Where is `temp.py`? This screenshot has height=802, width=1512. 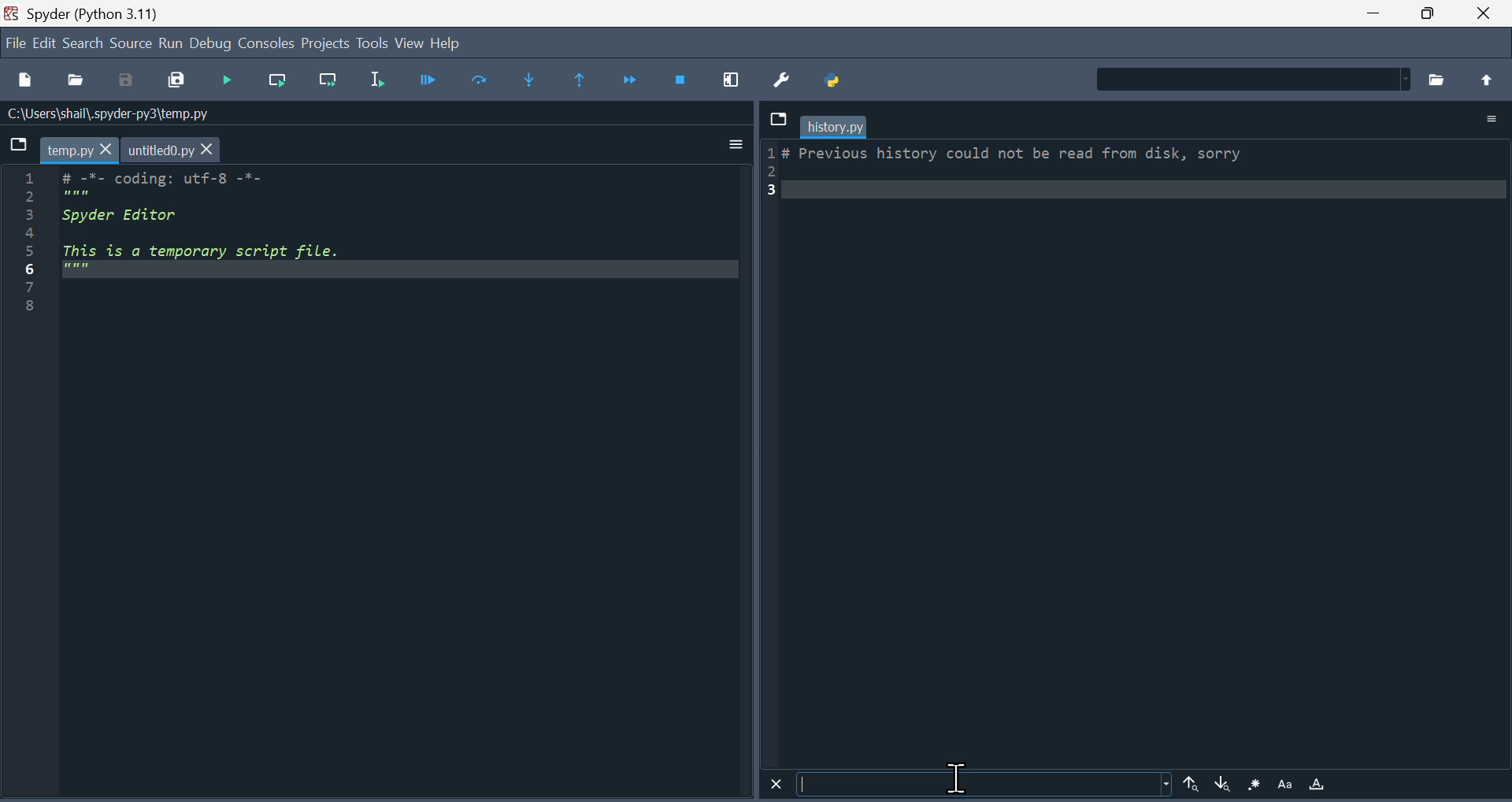 temp.py is located at coordinates (78, 149).